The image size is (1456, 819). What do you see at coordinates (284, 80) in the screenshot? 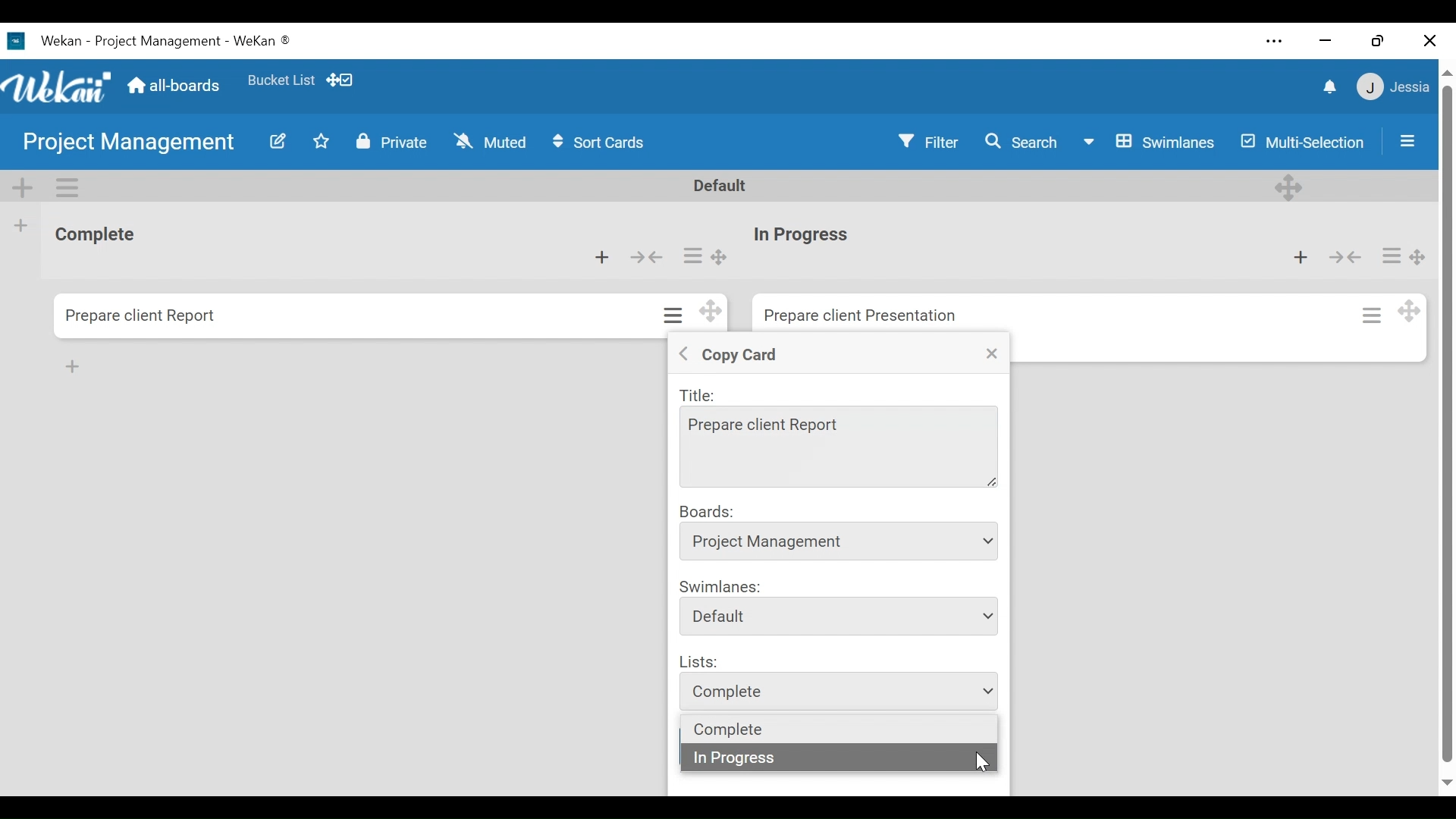
I see `Favorites` at bounding box center [284, 80].